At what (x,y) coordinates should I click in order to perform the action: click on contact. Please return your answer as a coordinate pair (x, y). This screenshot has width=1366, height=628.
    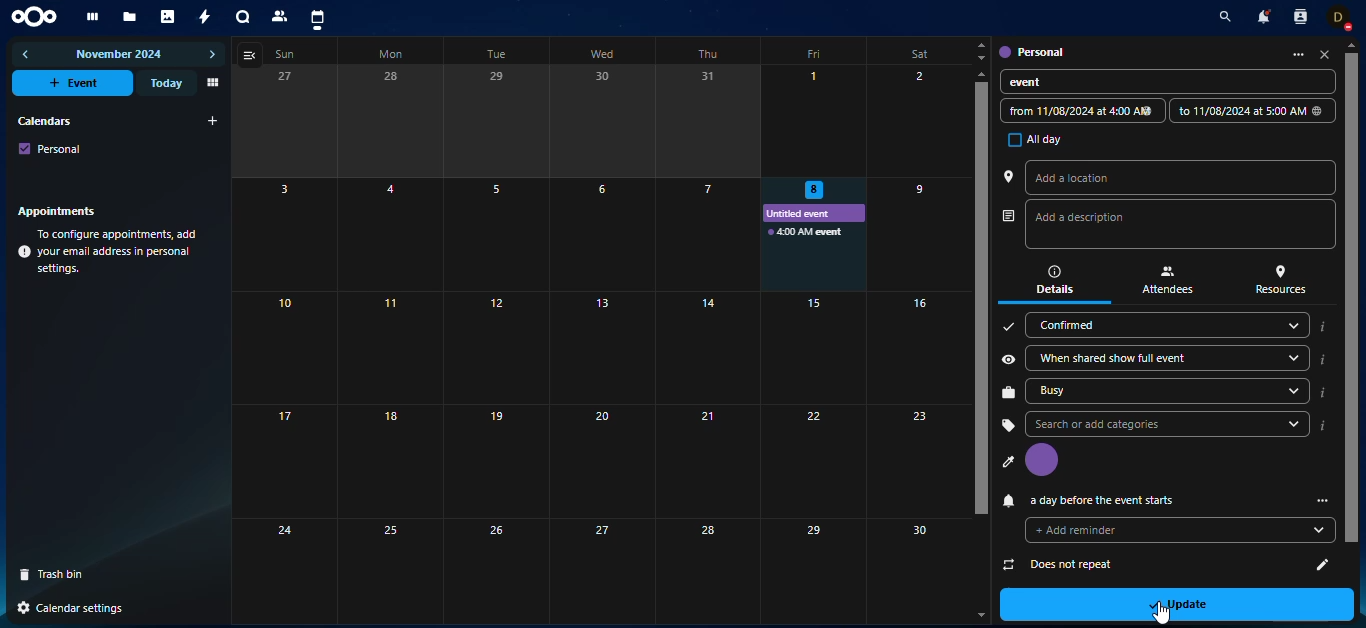
    Looking at the image, I should click on (281, 16).